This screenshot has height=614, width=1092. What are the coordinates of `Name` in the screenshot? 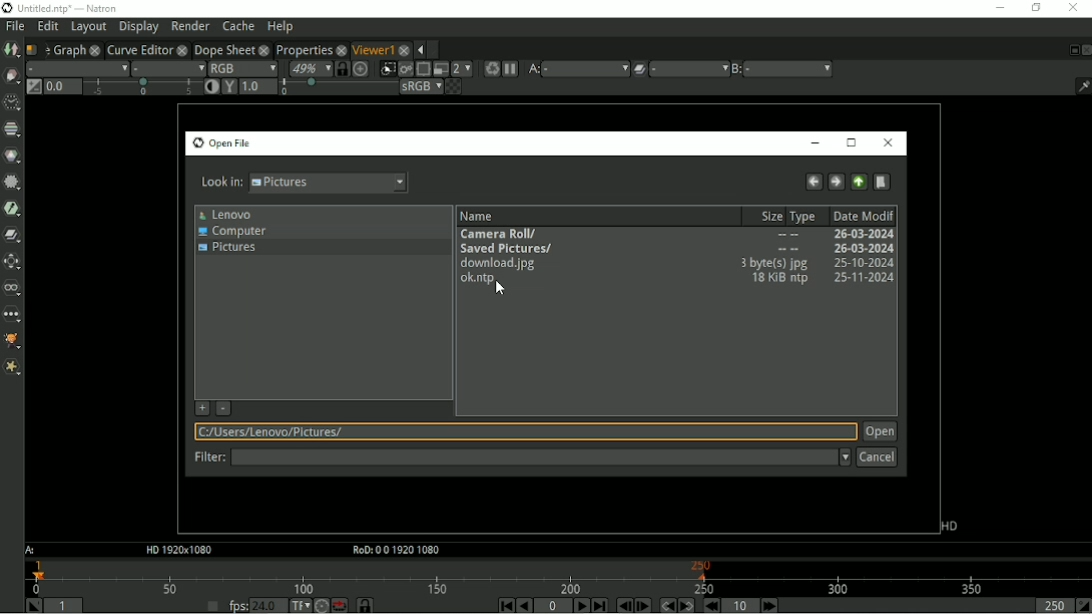 It's located at (480, 216).